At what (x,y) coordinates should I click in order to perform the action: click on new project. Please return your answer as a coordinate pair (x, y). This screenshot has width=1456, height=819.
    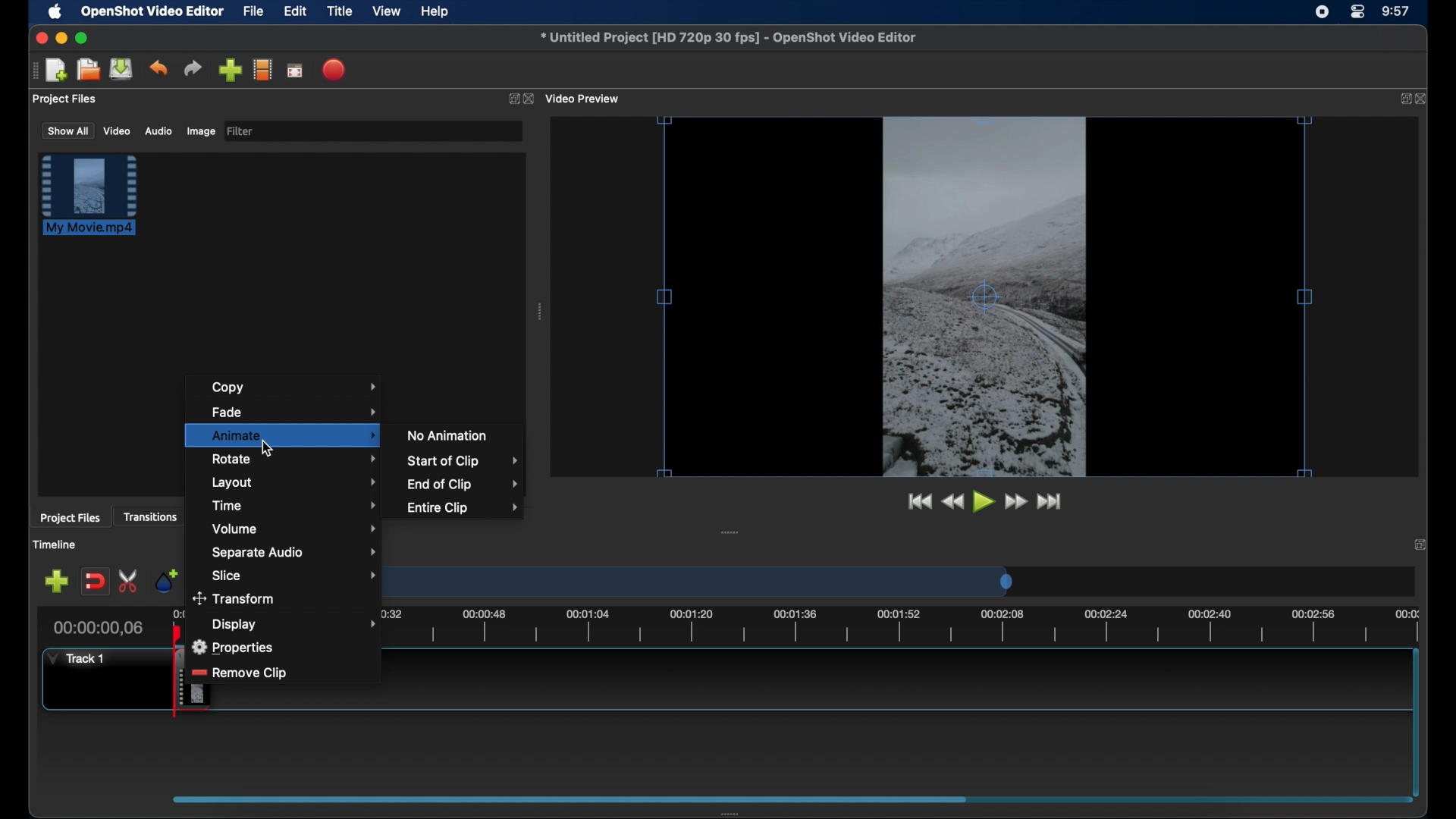
    Looking at the image, I should click on (58, 71).